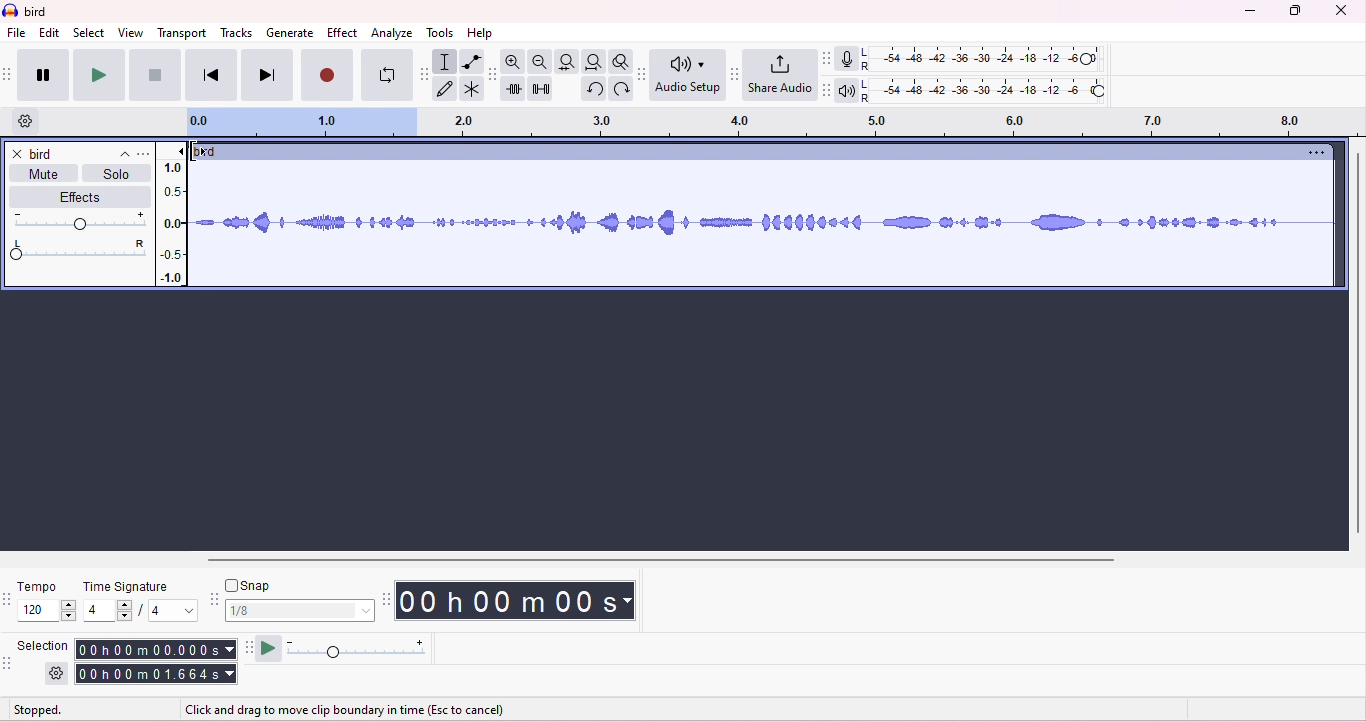  I want to click on redo, so click(619, 90).